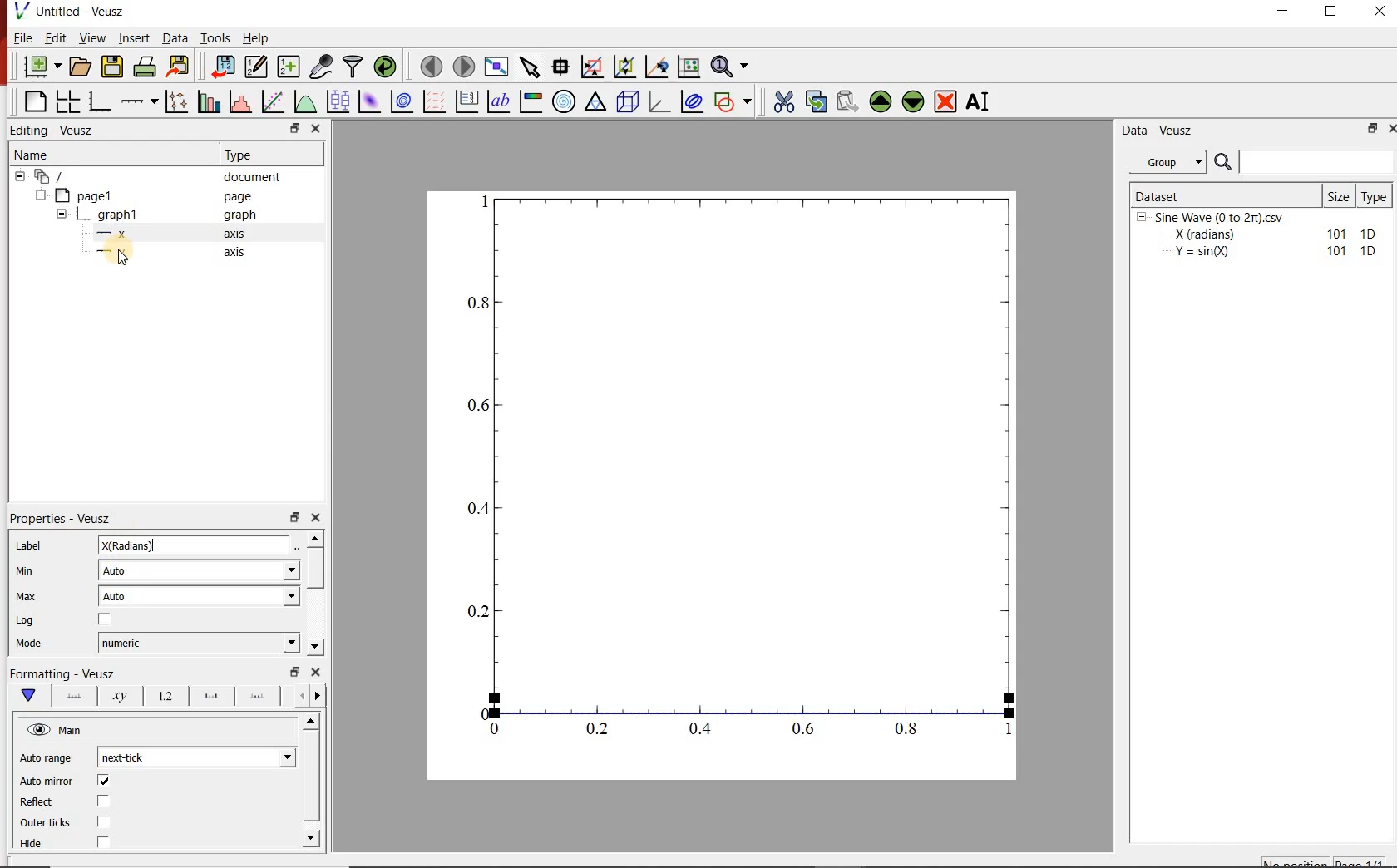 Image resolution: width=1397 pixels, height=868 pixels. Describe the element at coordinates (435, 101) in the screenshot. I see `plot a vector field` at that location.